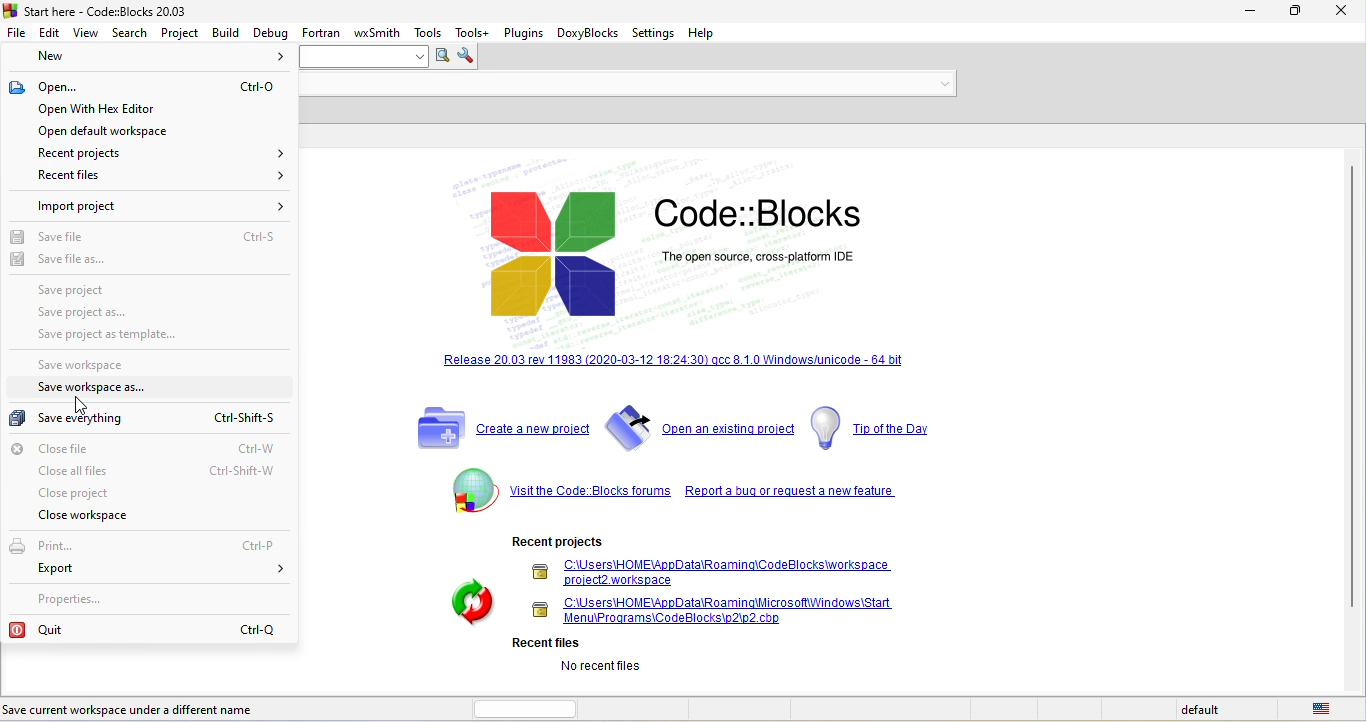  Describe the element at coordinates (129, 337) in the screenshot. I see `save project as template` at that location.